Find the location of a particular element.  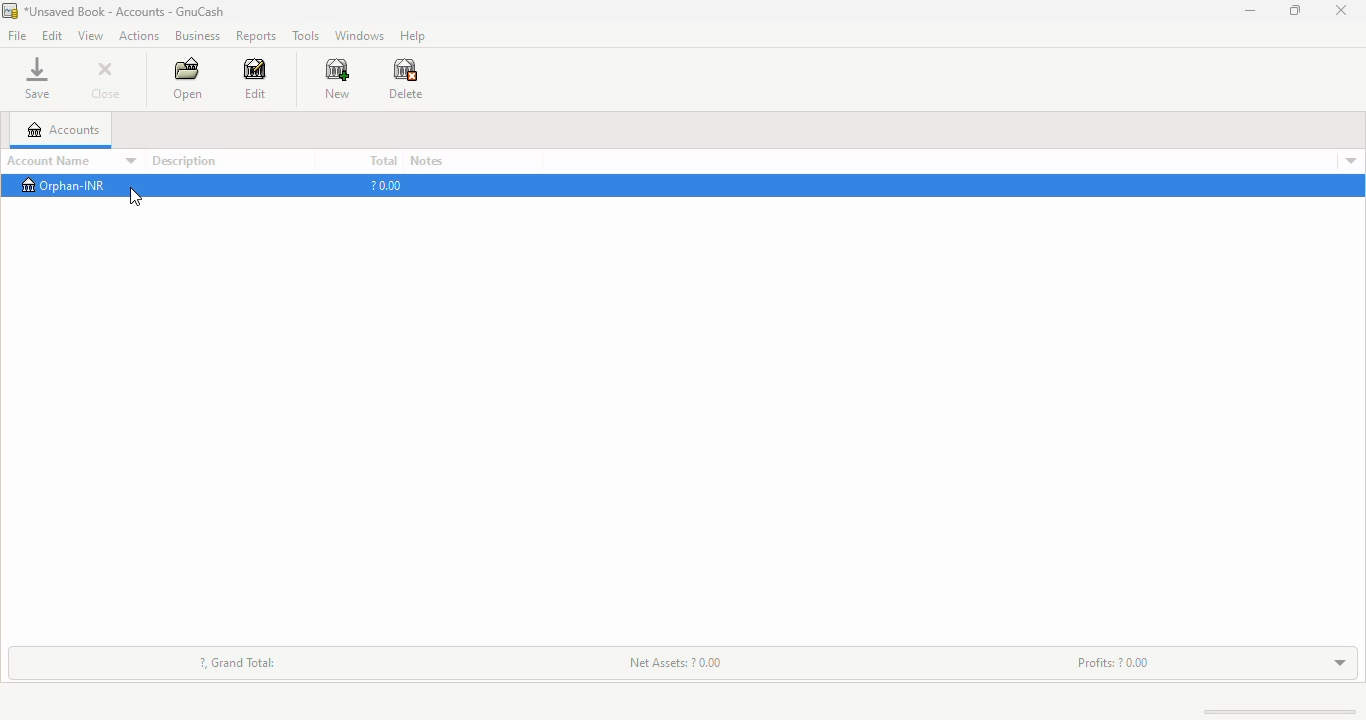

maximize is located at coordinates (1296, 11).